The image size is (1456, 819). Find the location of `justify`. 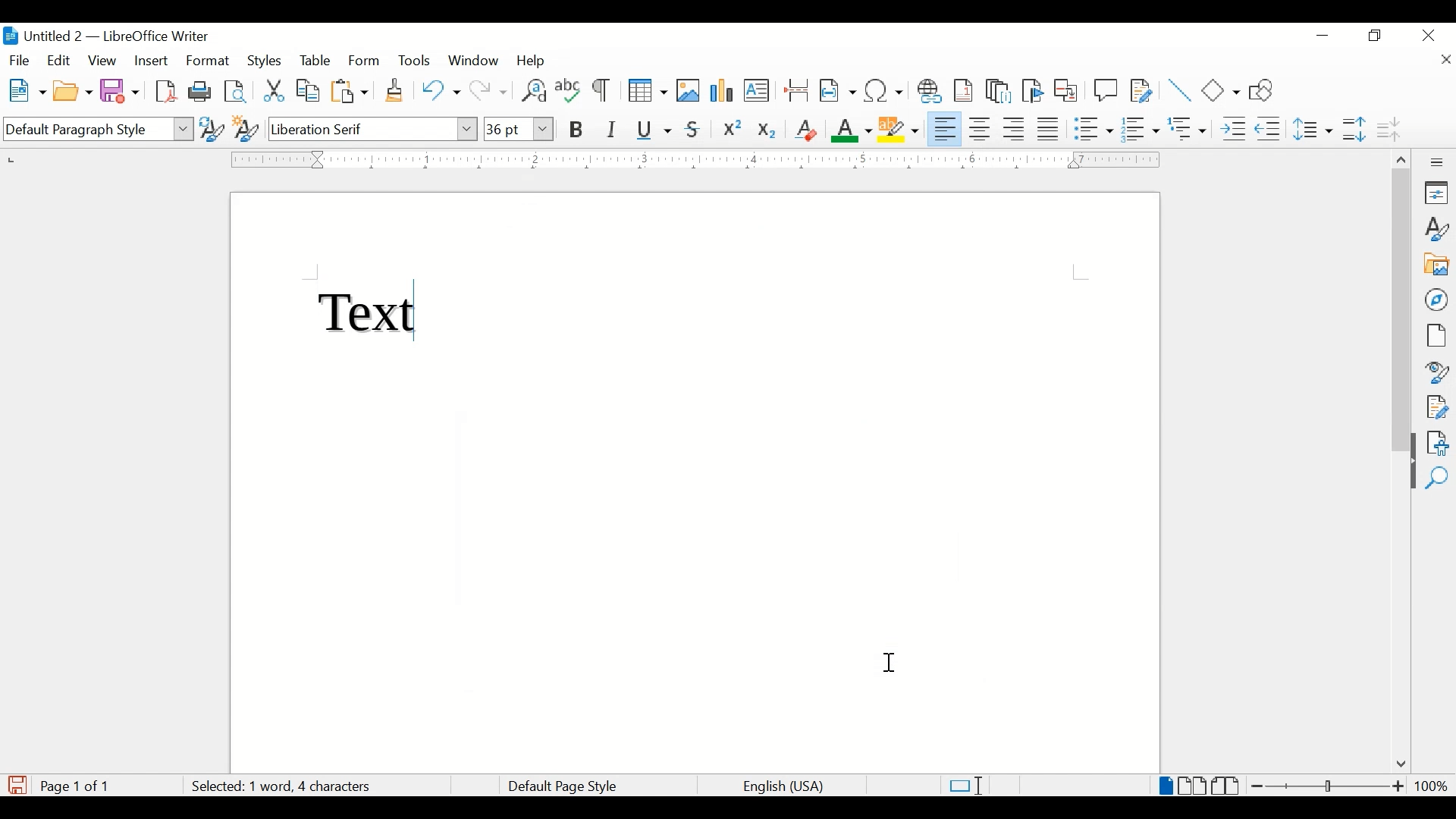

justify is located at coordinates (1049, 129).